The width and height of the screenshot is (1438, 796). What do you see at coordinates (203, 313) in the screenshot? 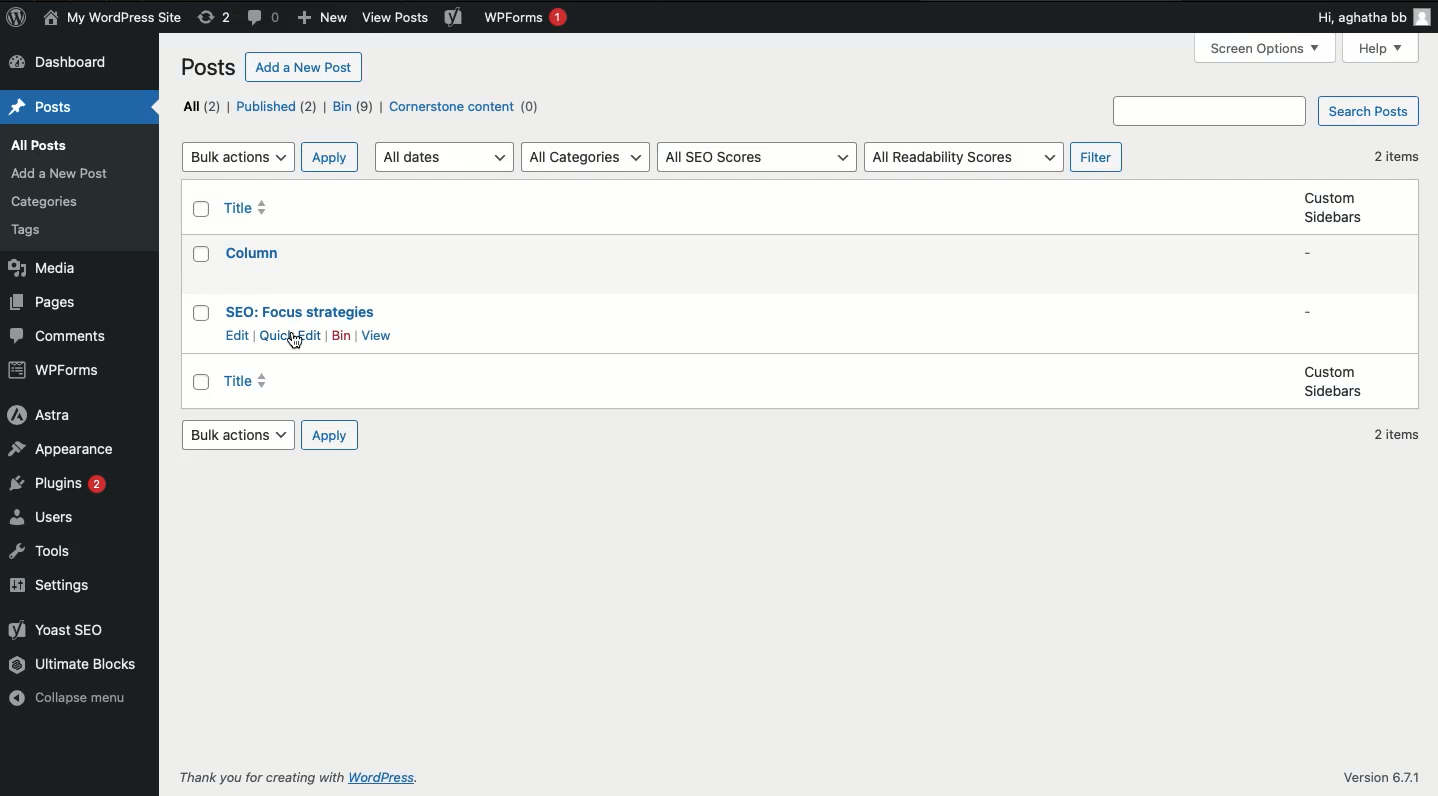
I see `Checkbox` at bounding box center [203, 313].